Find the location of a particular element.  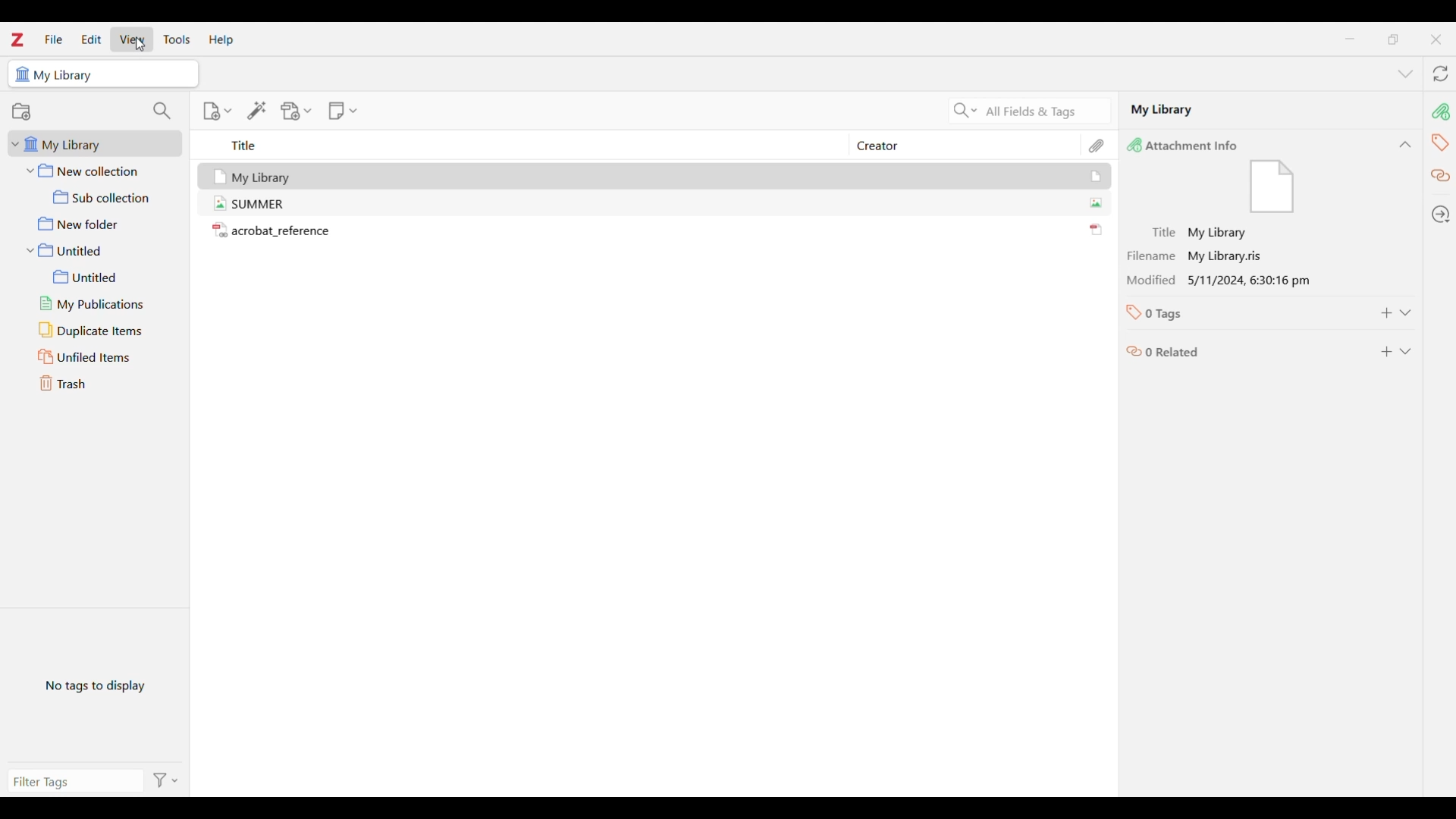

Expand tags is located at coordinates (1404, 312).